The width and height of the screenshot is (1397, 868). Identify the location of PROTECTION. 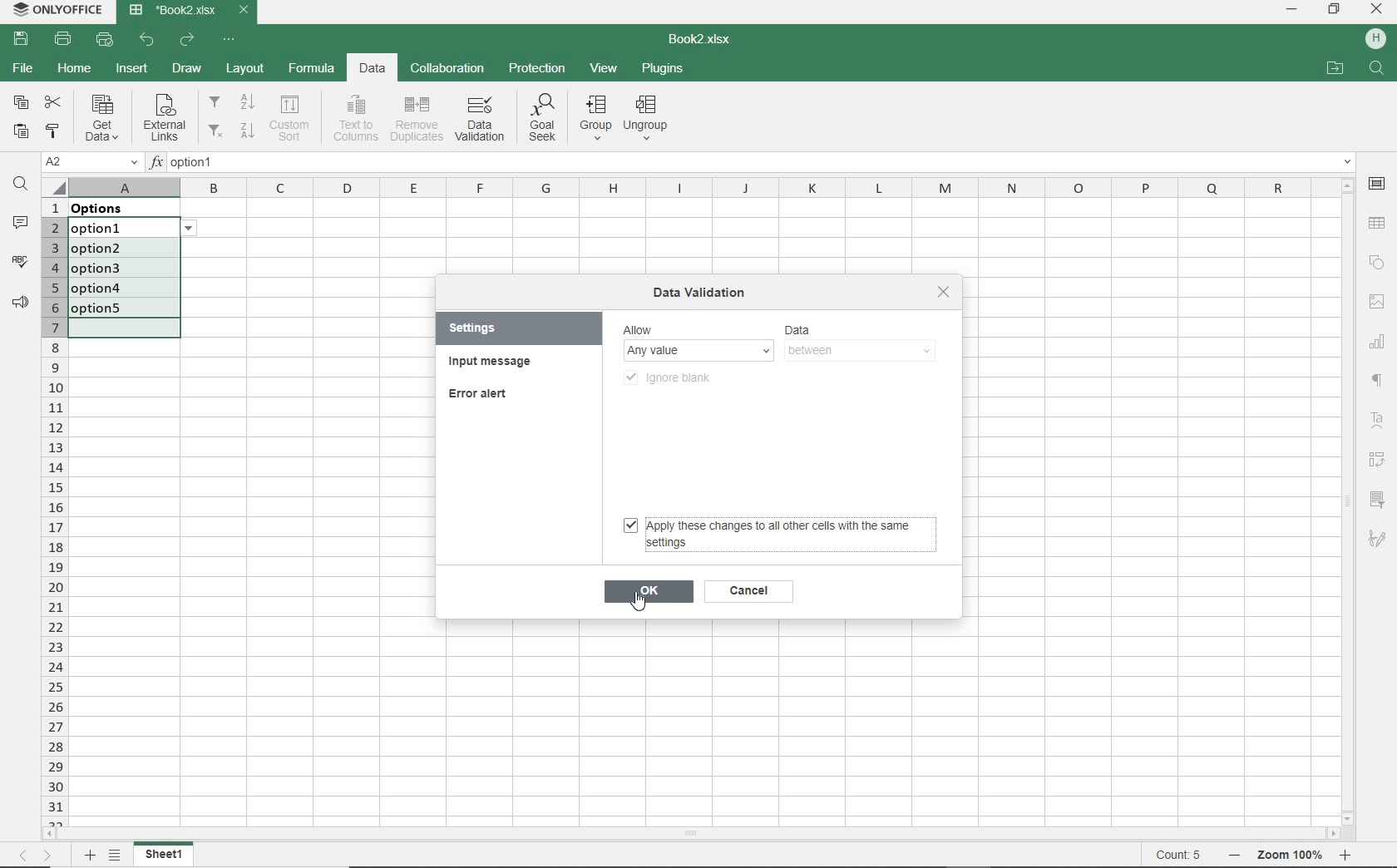
(537, 69).